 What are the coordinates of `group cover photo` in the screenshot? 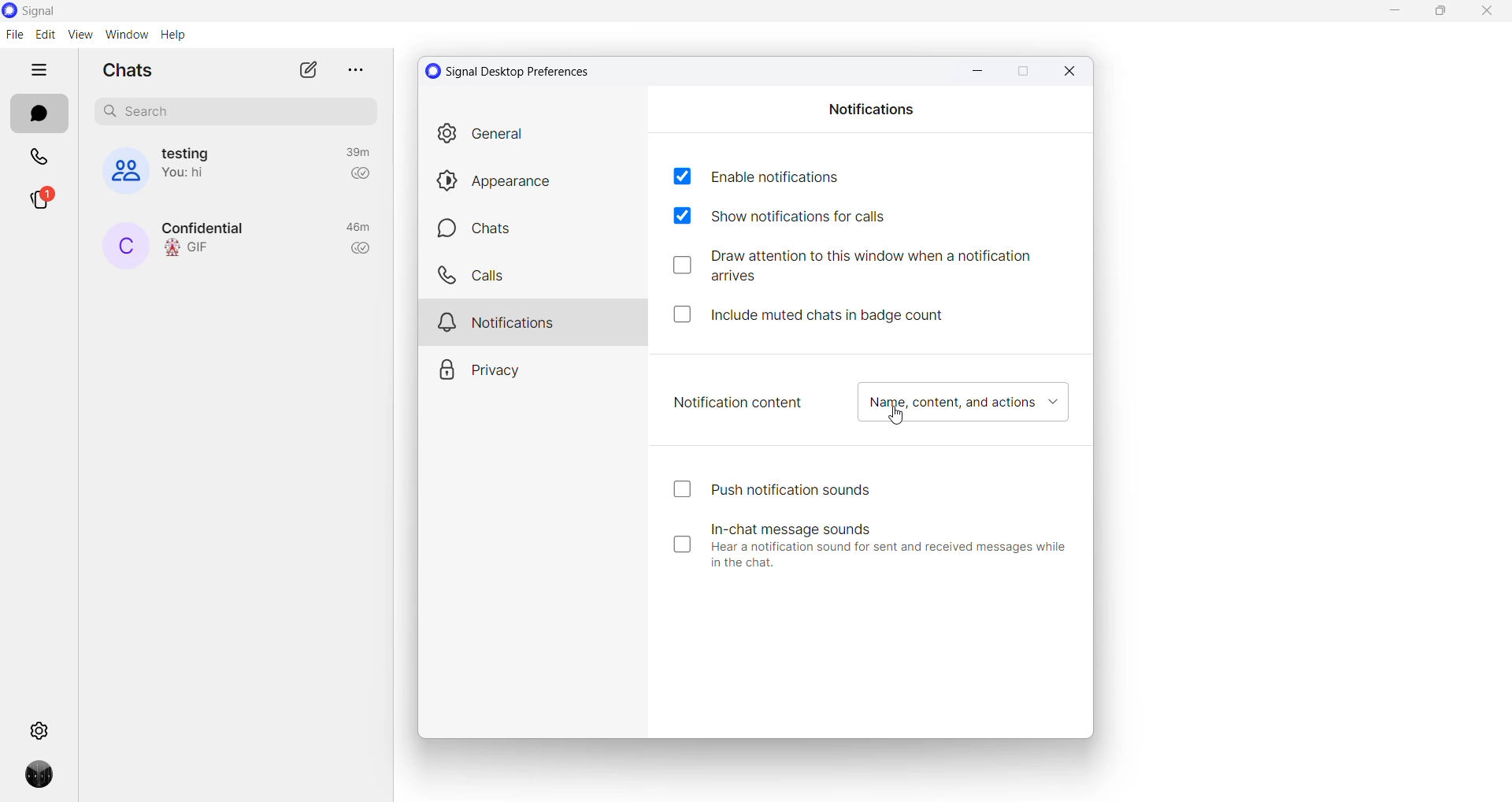 It's located at (117, 171).